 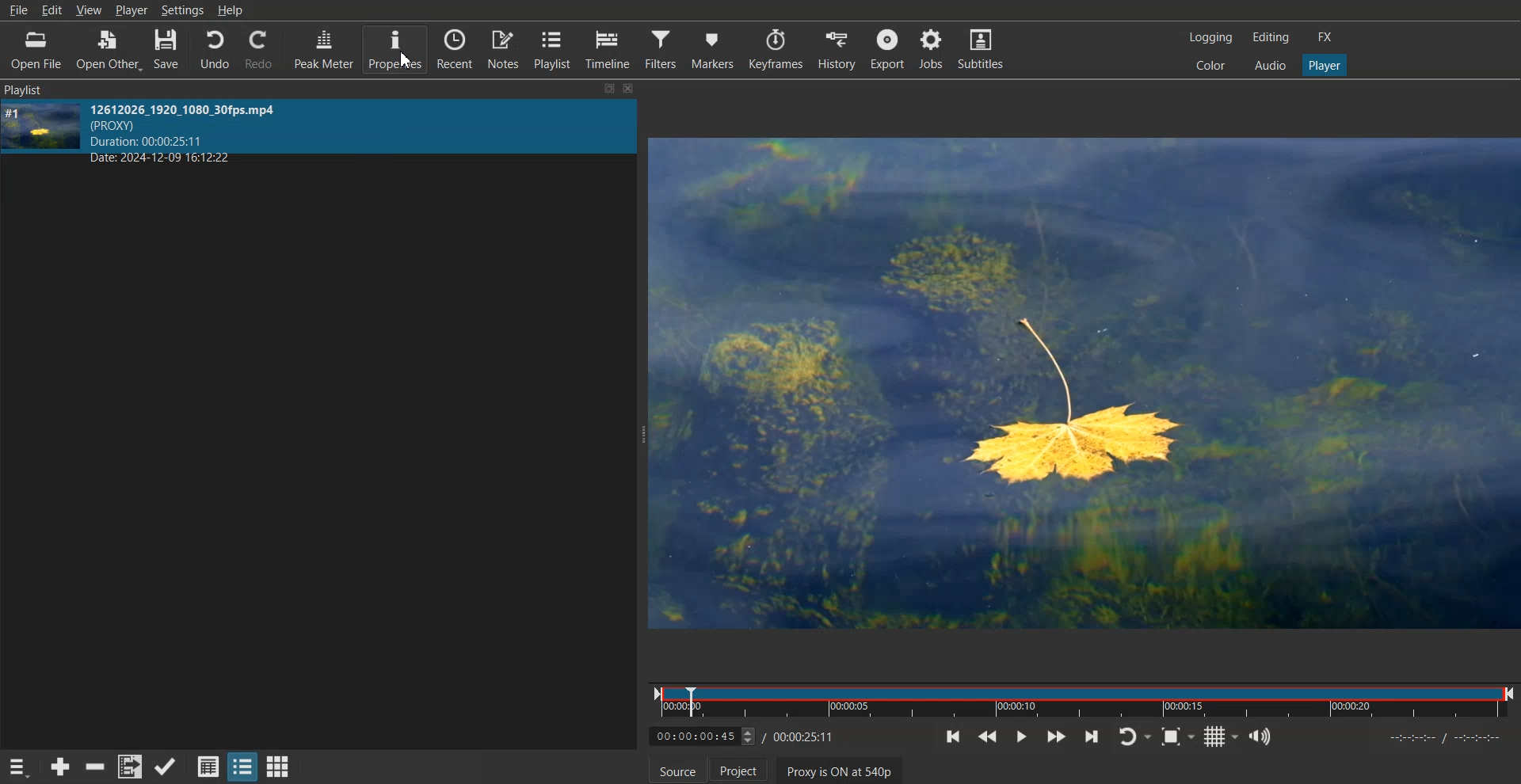 I want to click on Recent, so click(x=455, y=49).